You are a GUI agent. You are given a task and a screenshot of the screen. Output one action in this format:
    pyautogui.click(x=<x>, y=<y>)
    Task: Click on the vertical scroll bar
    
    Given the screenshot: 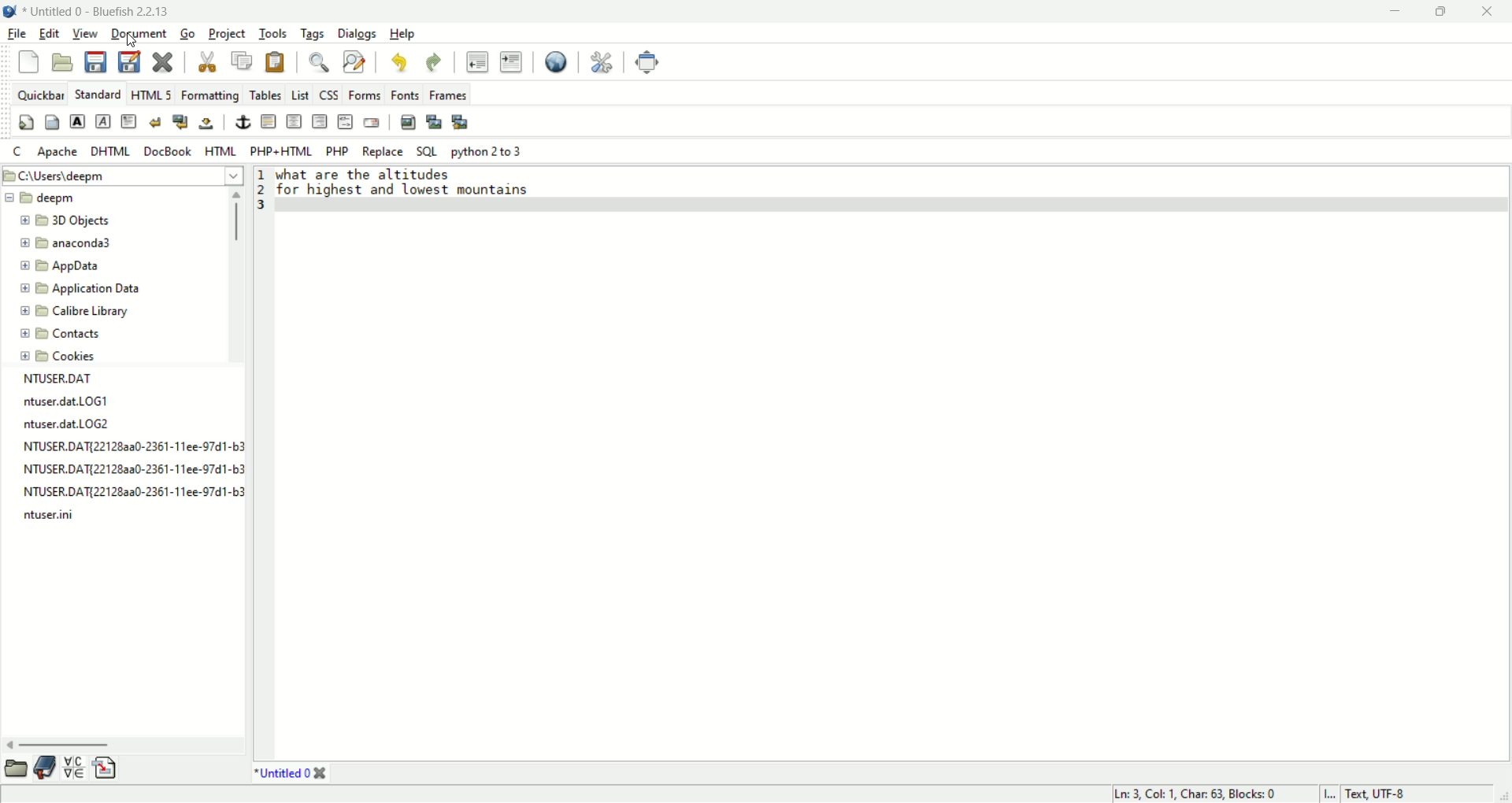 What is the action you would take?
    pyautogui.click(x=237, y=279)
    